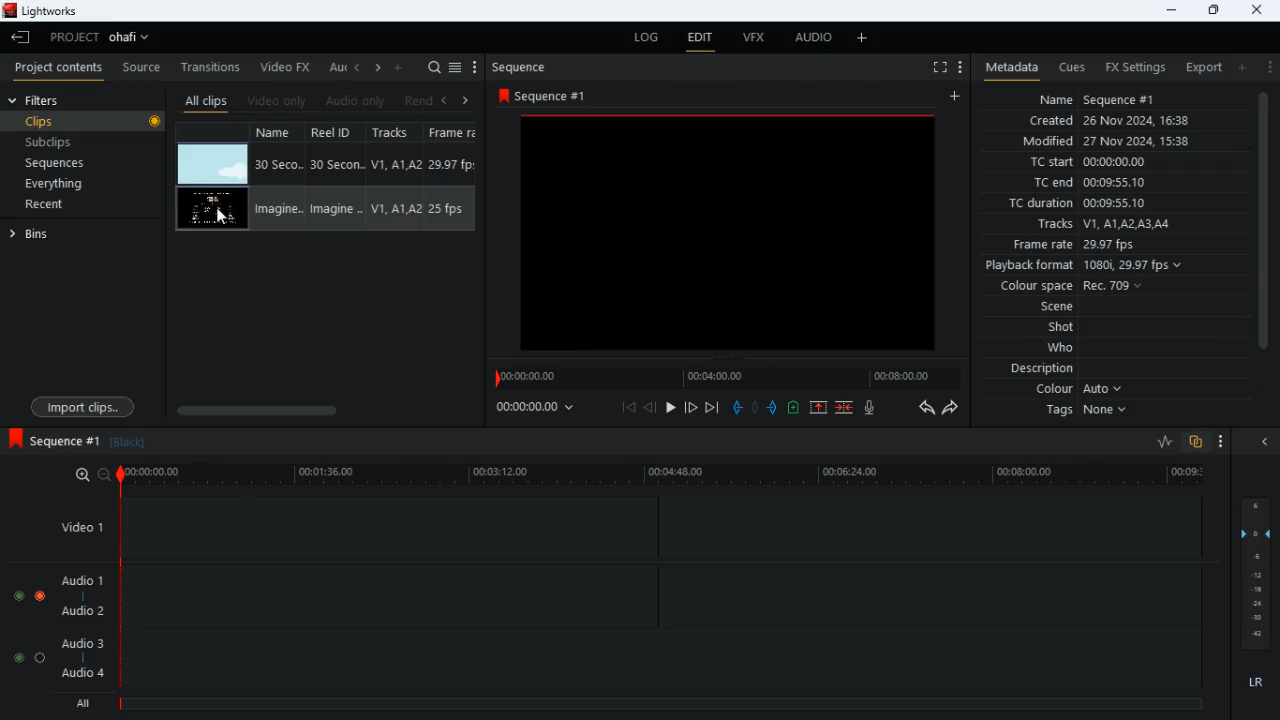 The width and height of the screenshot is (1280, 720). Describe the element at coordinates (207, 99) in the screenshot. I see `all clips` at that location.